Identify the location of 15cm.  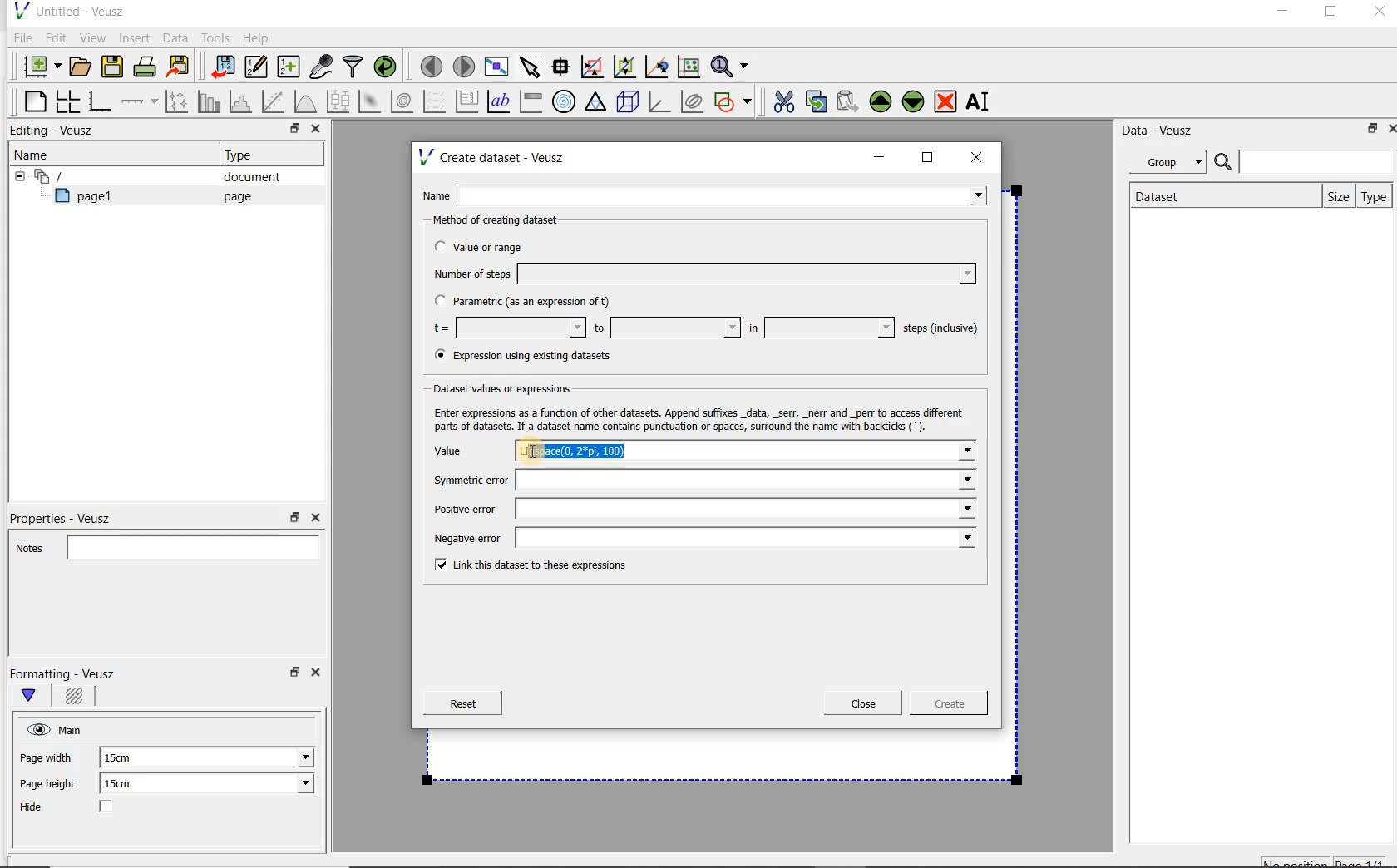
(126, 758).